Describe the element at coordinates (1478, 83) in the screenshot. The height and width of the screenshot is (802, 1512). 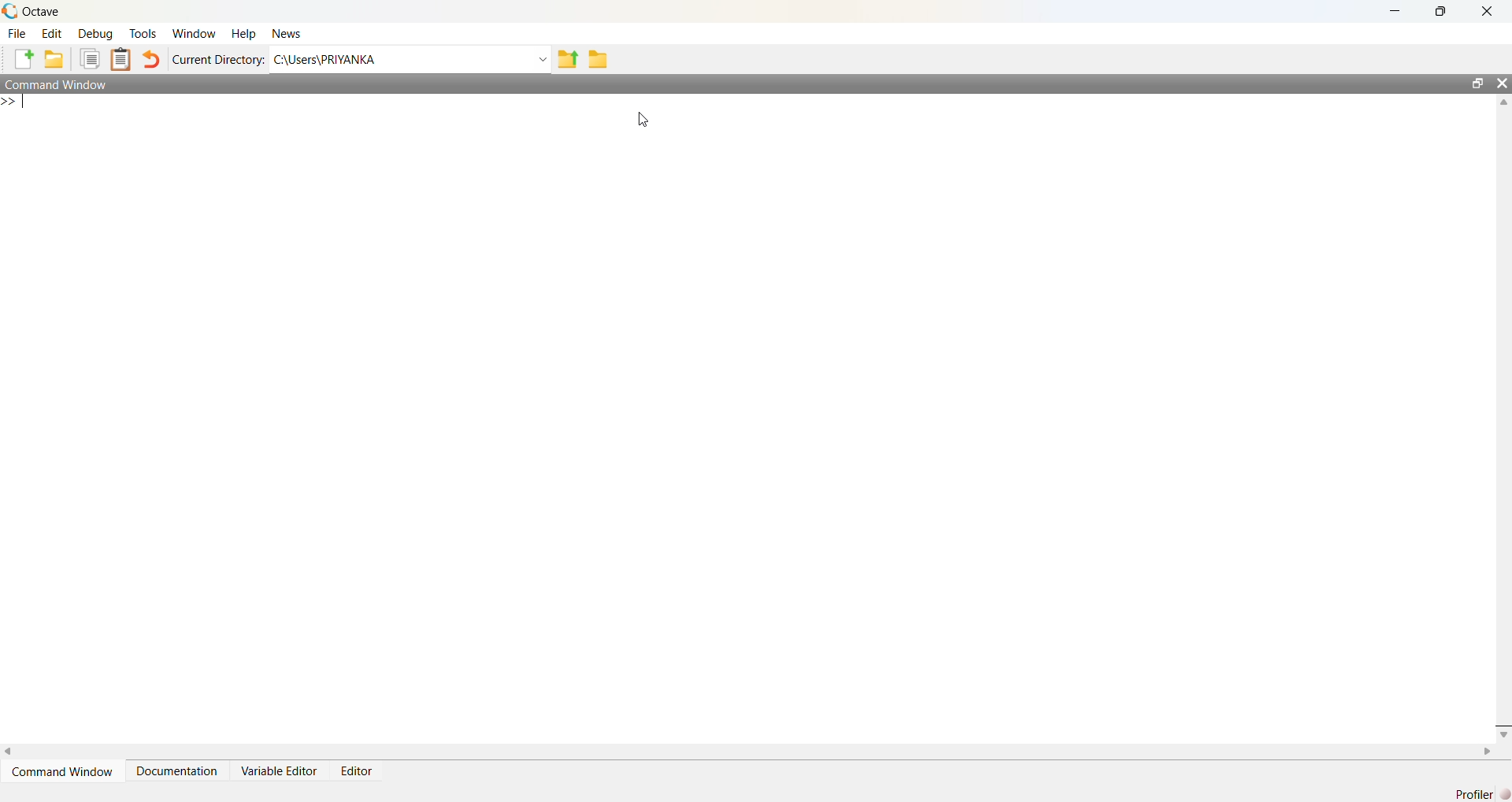
I see `restore` at that location.